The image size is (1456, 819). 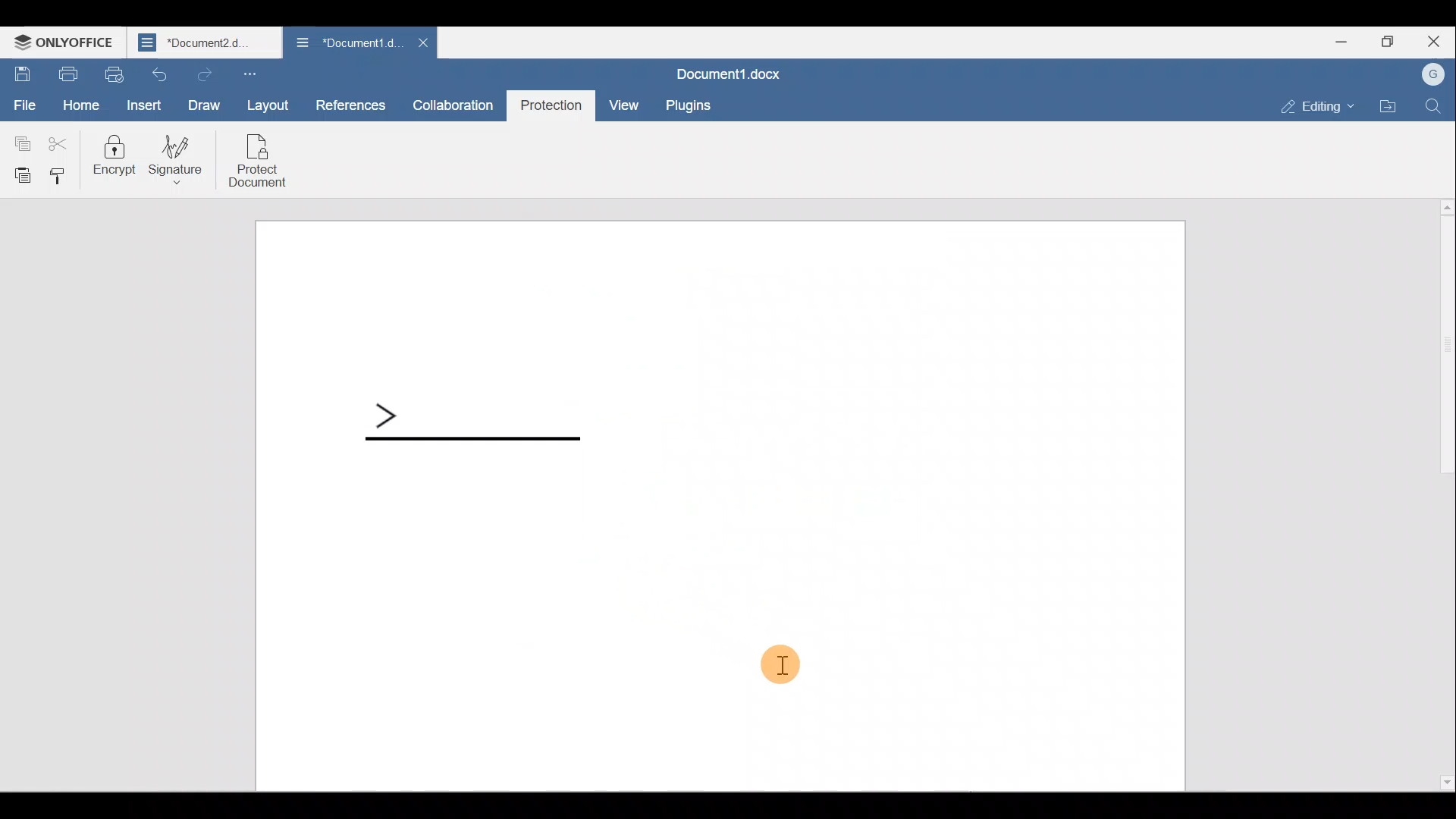 What do you see at coordinates (259, 158) in the screenshot?
I see `Protect document` at bounding box center [259, 158].